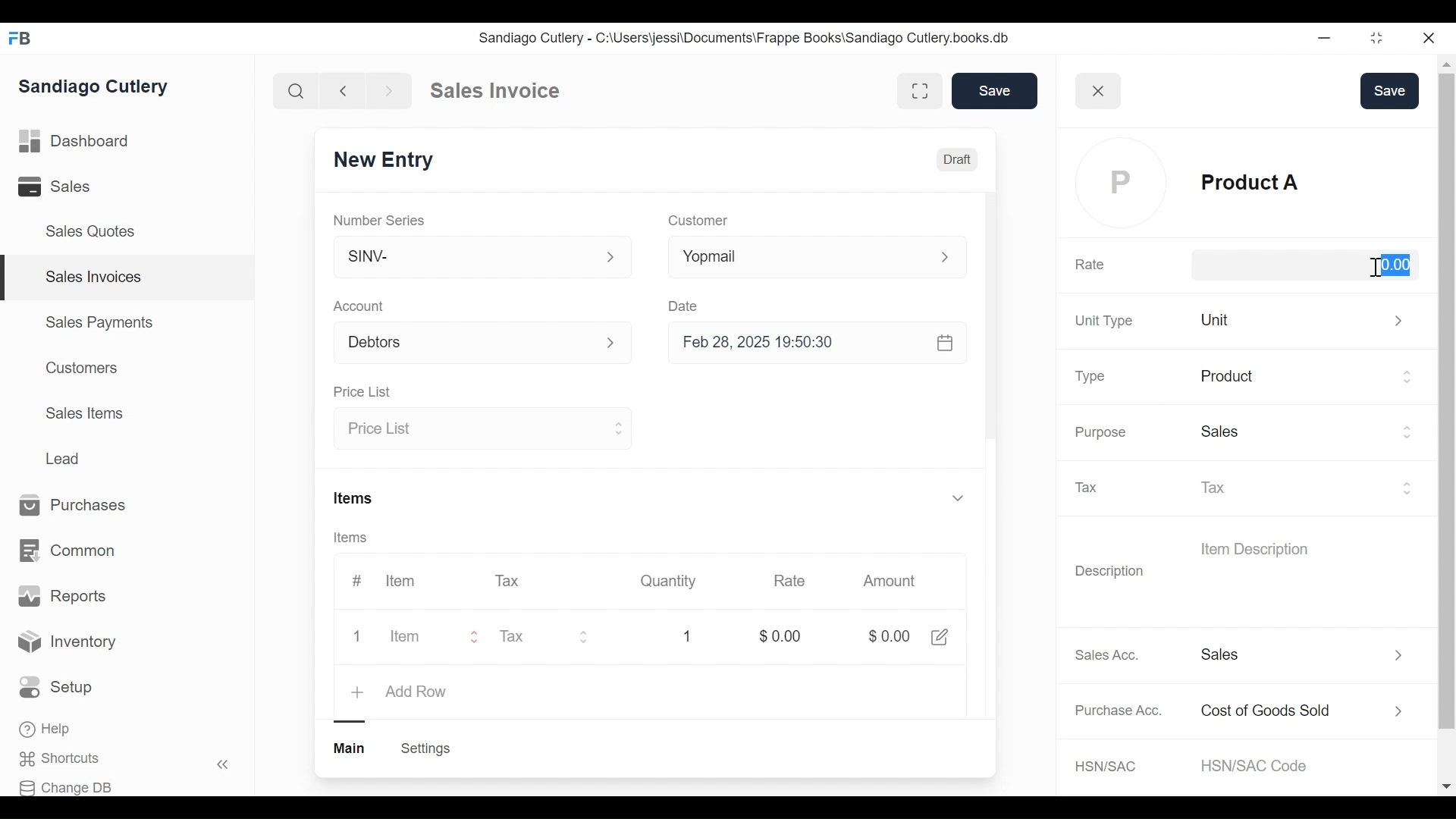 The image size is (1456, 819). I want to click on SINV-, so click(483, 257).